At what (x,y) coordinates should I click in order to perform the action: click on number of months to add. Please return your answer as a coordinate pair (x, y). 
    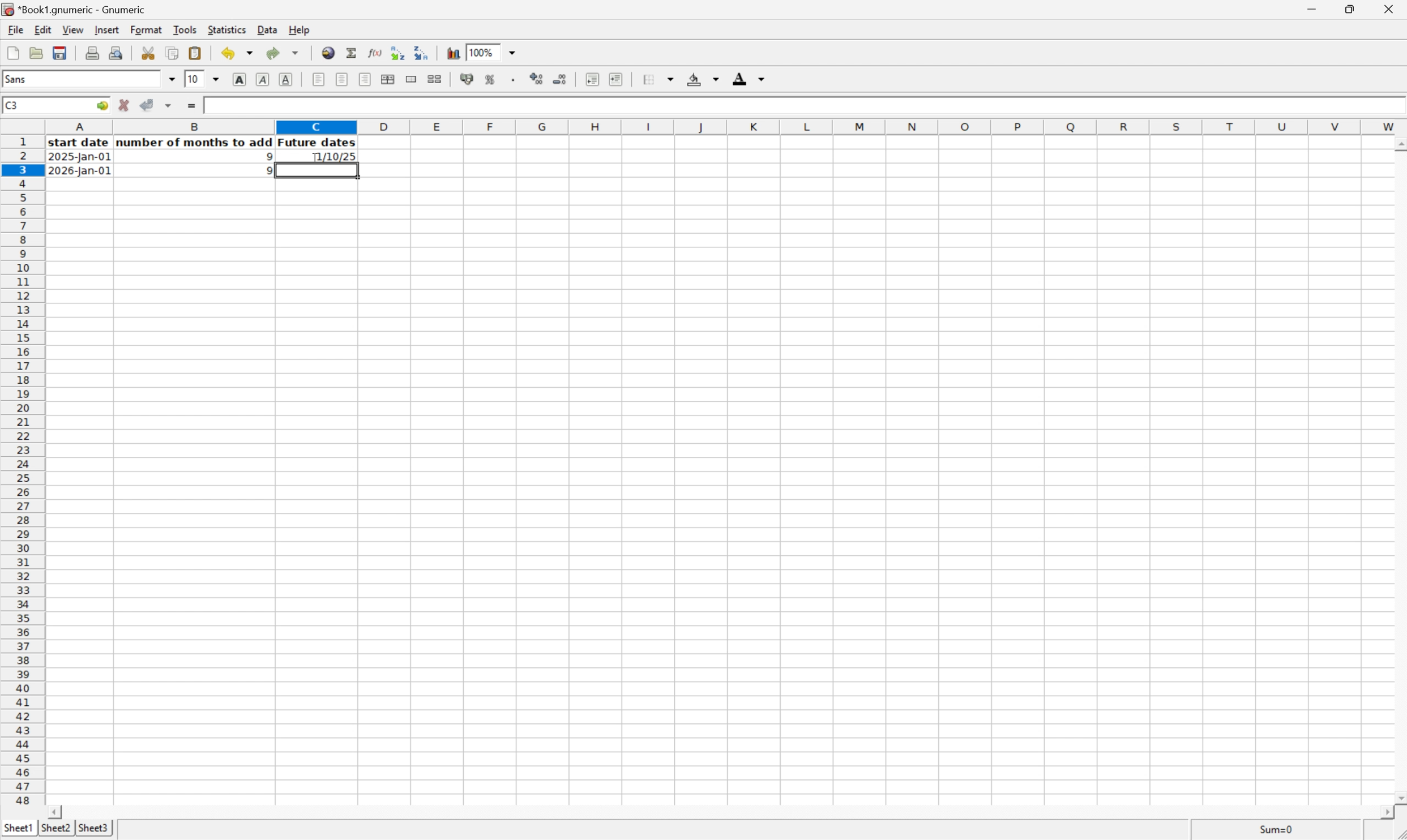
    Looking at the image, I should click on (195, 143).